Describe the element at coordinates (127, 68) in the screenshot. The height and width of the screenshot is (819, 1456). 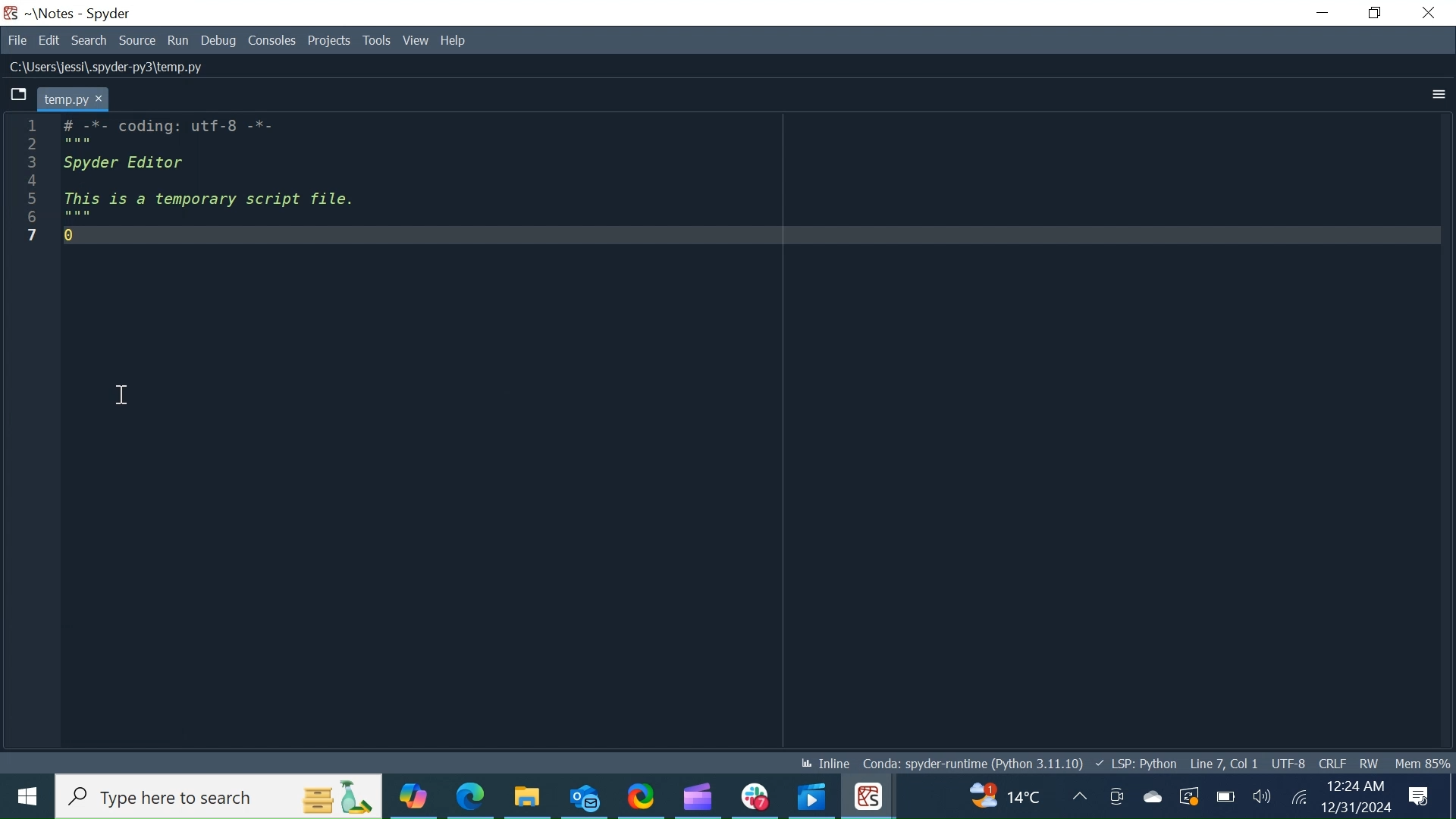
I see `C:\Users\jessi\.spyder-py3\temp.py` at that location.